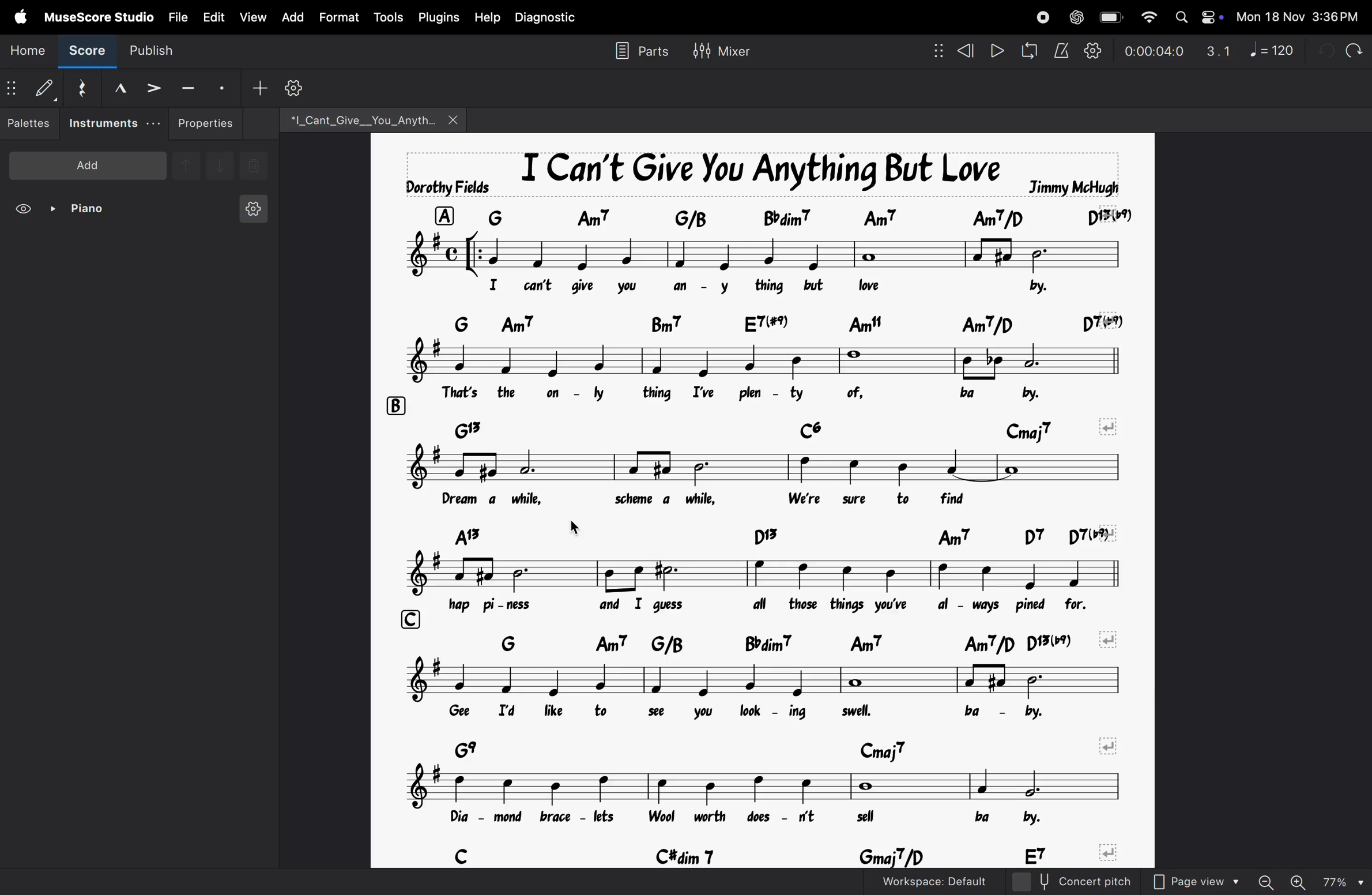 Image resolution: width=1372 pixels, height=895 pixels. Describe the element at coordinates (395, 405) in the screenshot. I see `row` at that location.